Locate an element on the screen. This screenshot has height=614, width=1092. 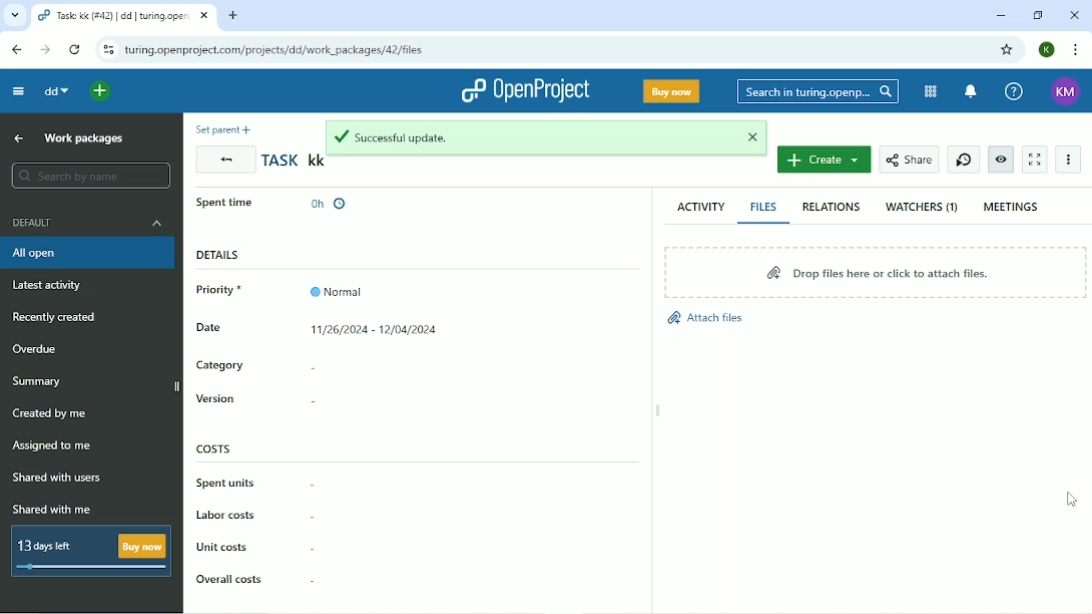
Task kk is located at coordinates (293, 162).